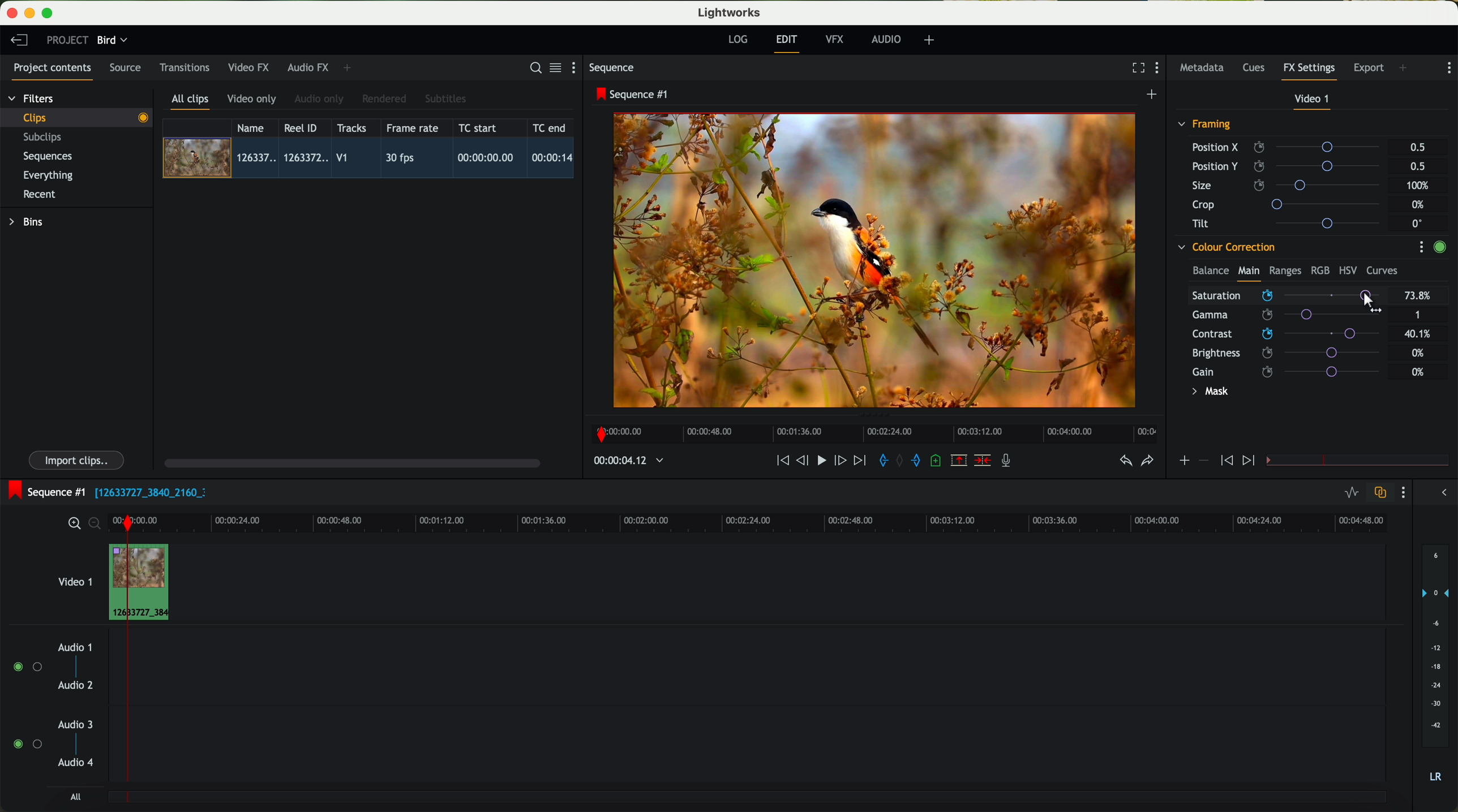 The width and height of the screenshot is (1458, 812). Describe the element at coordinates (1418, 148) in the screenshot. I see `0.5` at that location.